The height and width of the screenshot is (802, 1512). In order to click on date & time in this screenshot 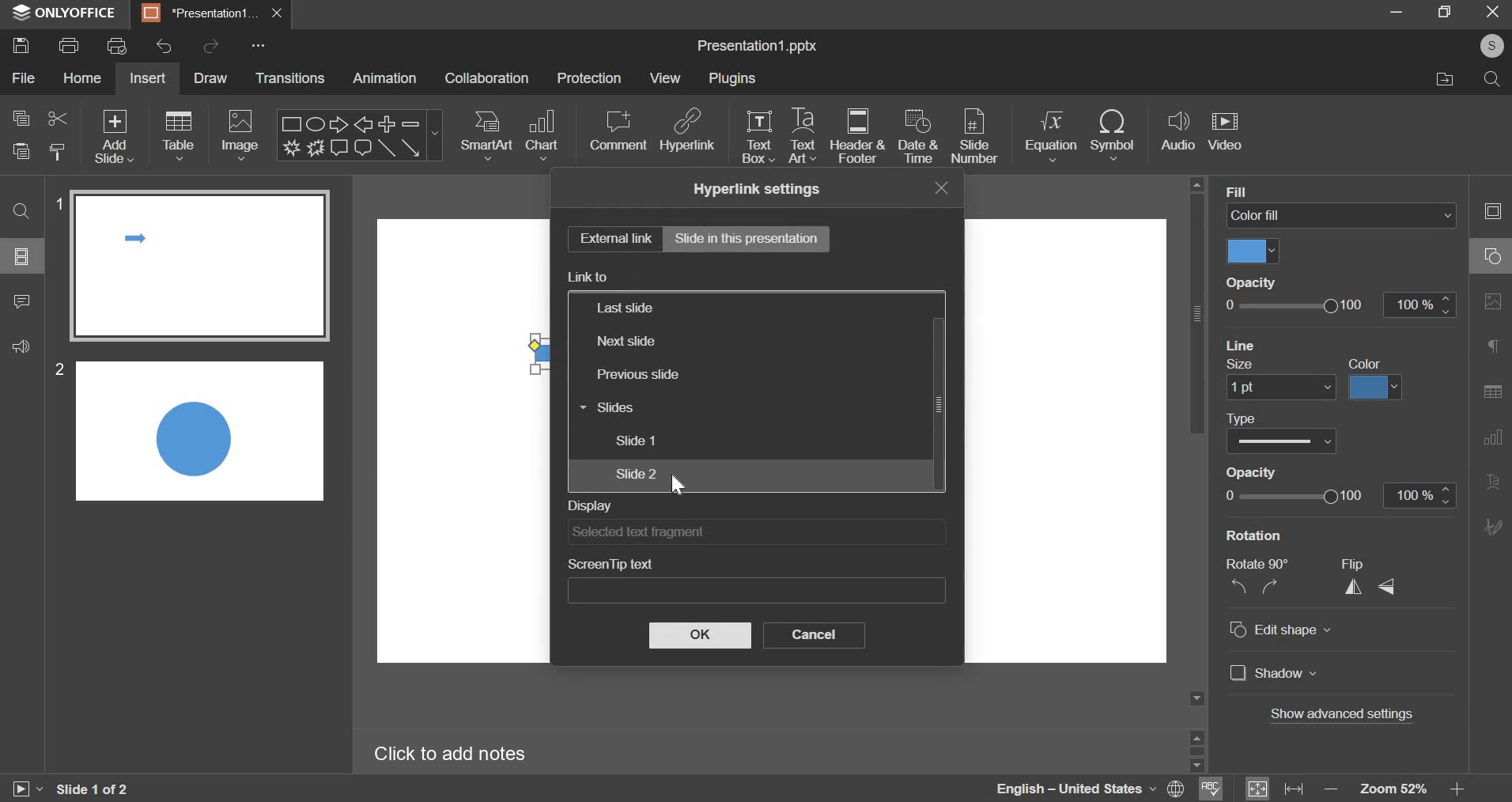, I will do `click(920, 138)`.